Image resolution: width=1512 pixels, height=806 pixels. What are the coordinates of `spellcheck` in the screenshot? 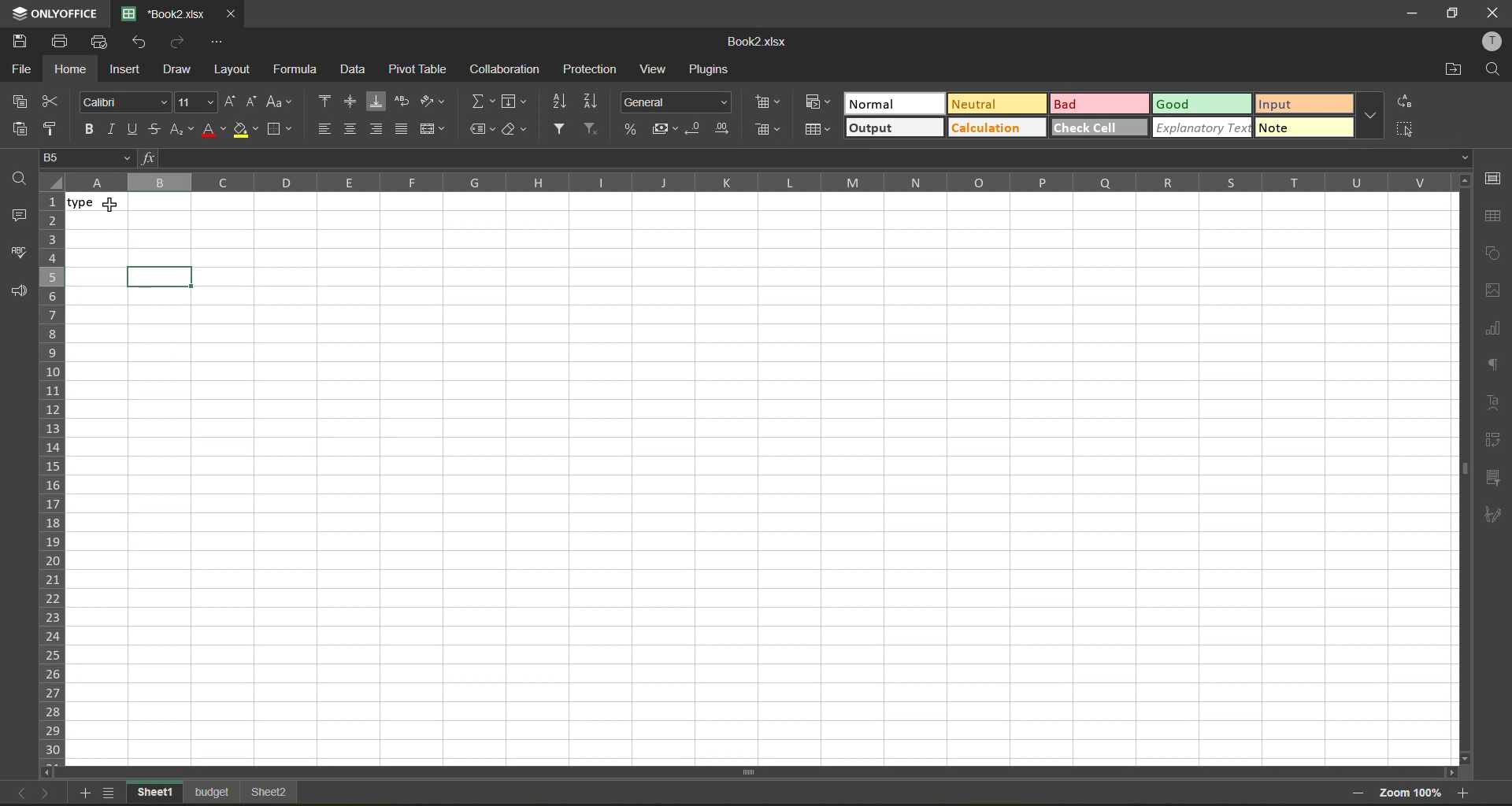 It's located at (21, 254).